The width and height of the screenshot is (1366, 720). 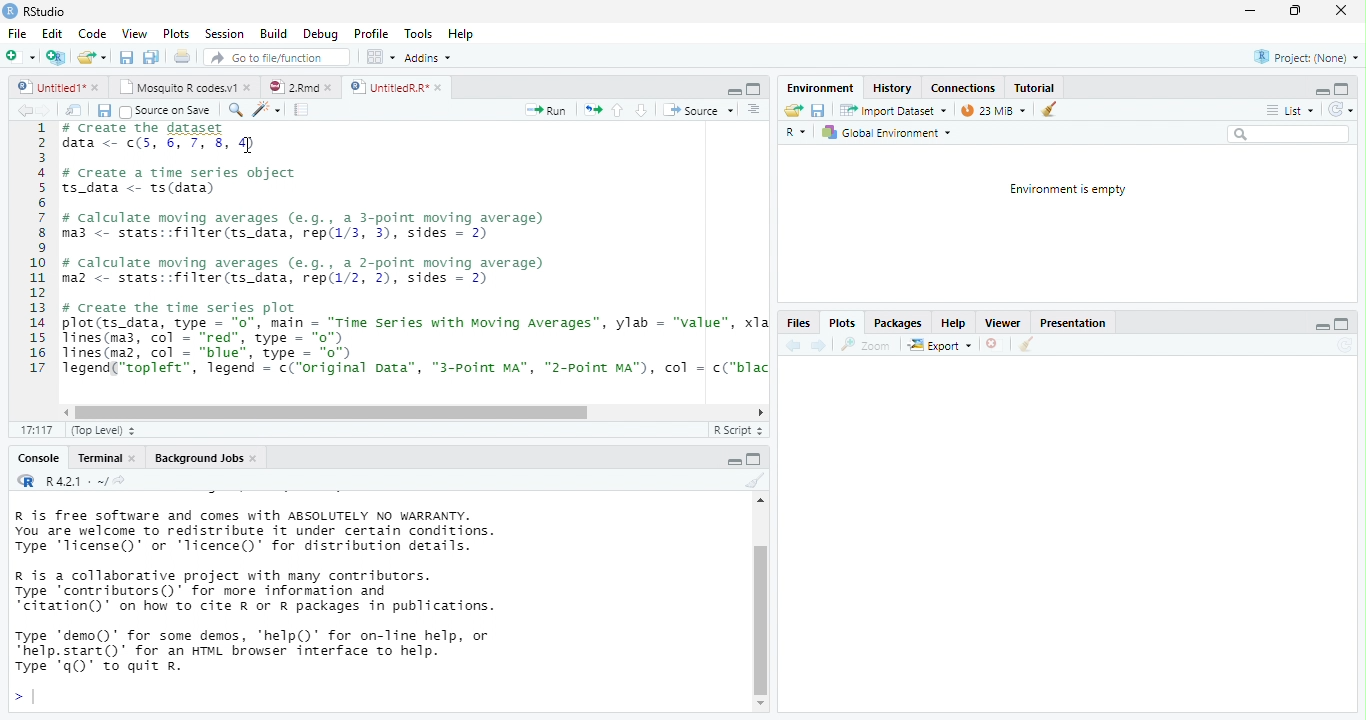 What do you see at coordinates (183, 56) in the screenshot?
I see `print current file` at bounding box center [183, 56].